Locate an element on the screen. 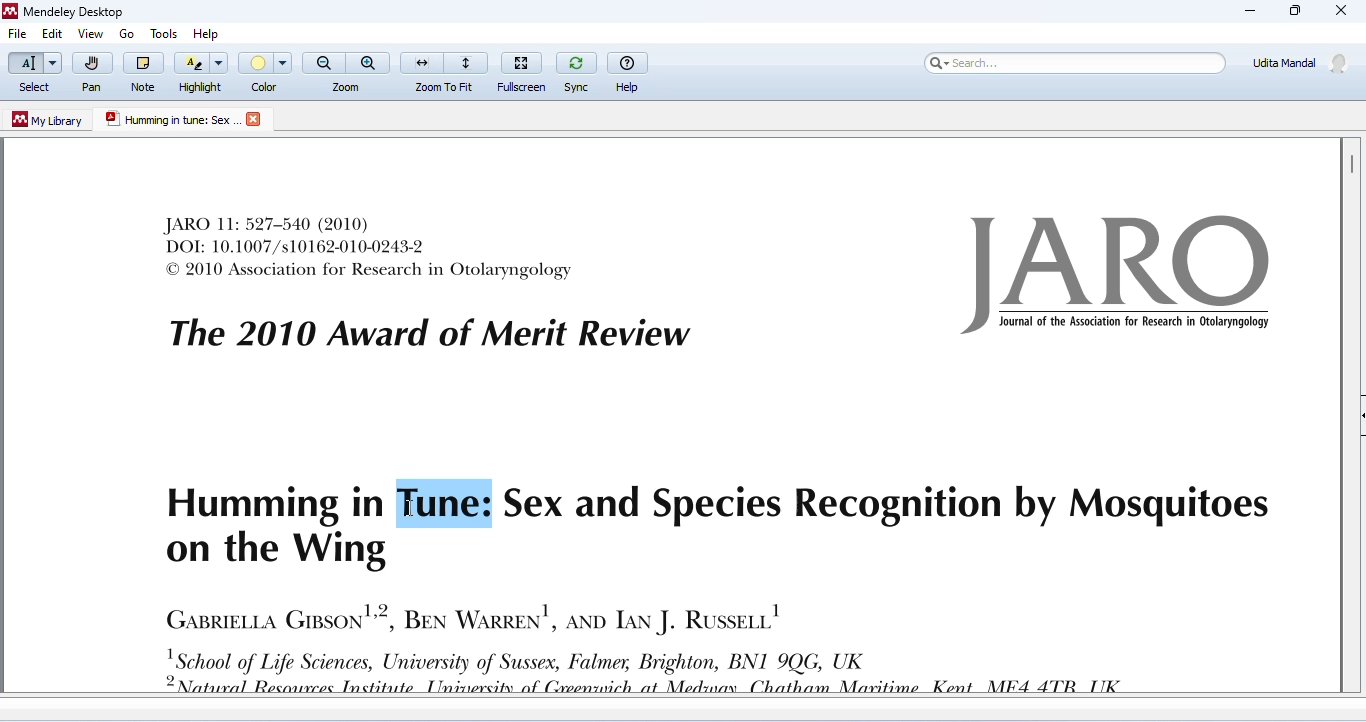 The width and height of the screenshot is (1366, 722). Humming in Tune; Sex and Species Recognition by Mosquitoes on the Wing is located at coordinates (715, 526).